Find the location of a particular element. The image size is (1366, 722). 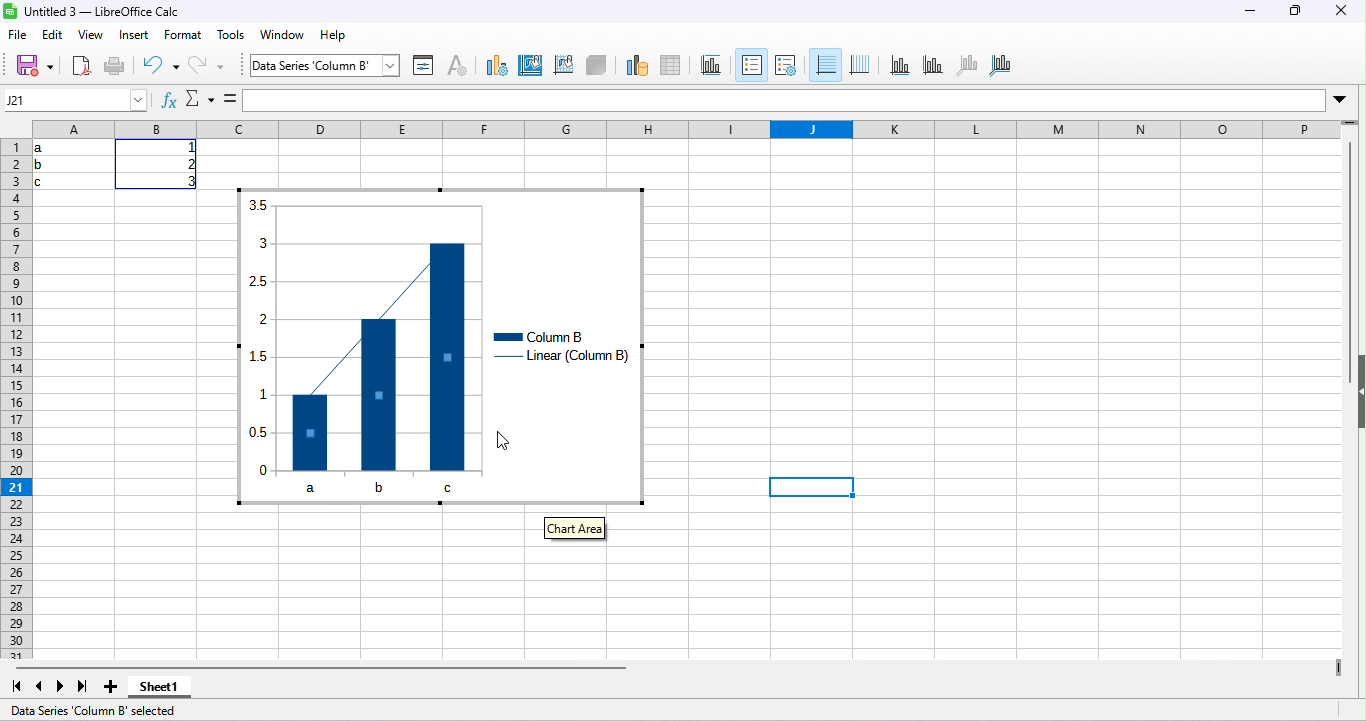

y axis values is located at coordinates (259, 338).